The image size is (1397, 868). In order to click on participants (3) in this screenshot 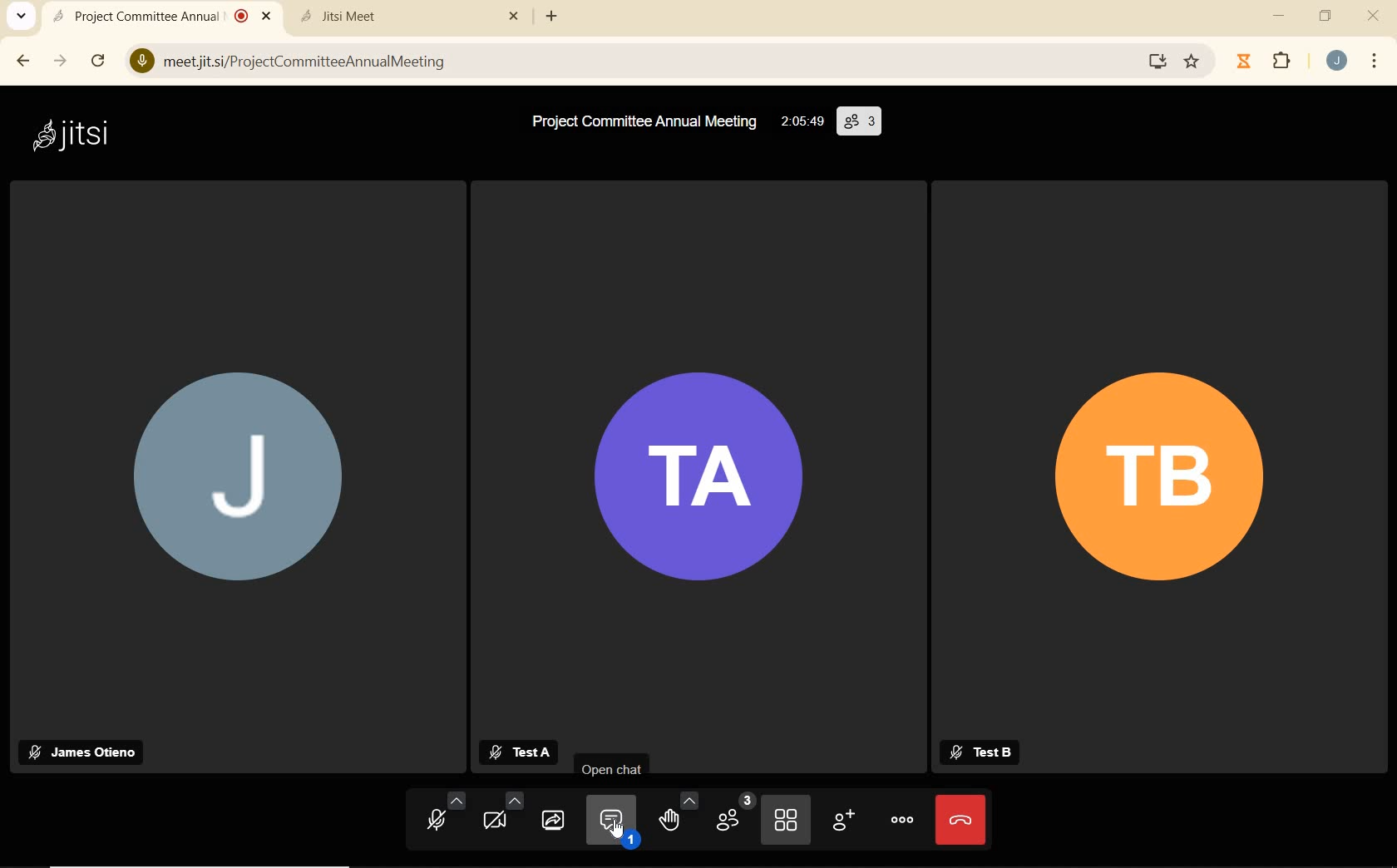, I will do `click(860, 124)`.